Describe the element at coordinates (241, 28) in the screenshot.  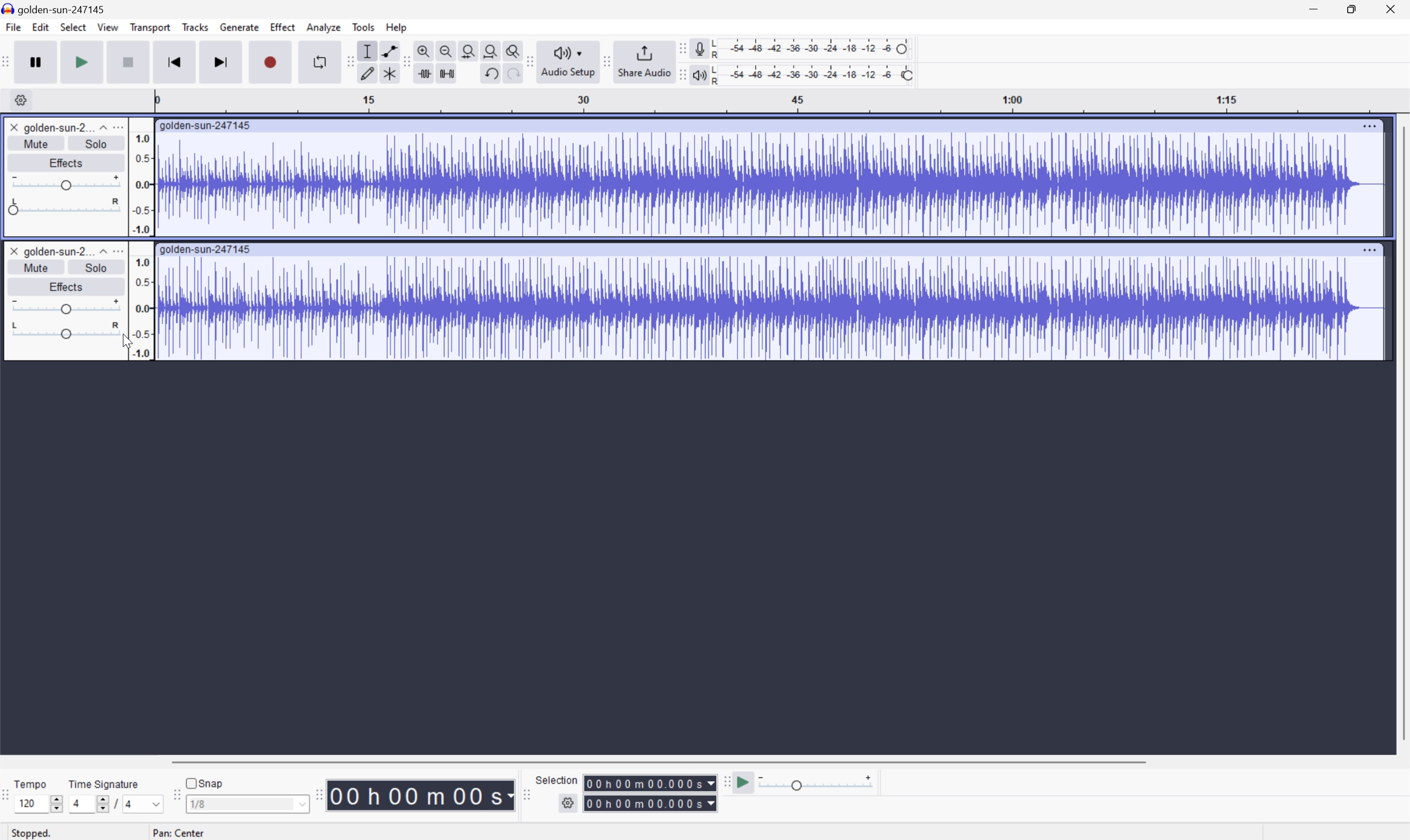
I see `Generate` at that location.